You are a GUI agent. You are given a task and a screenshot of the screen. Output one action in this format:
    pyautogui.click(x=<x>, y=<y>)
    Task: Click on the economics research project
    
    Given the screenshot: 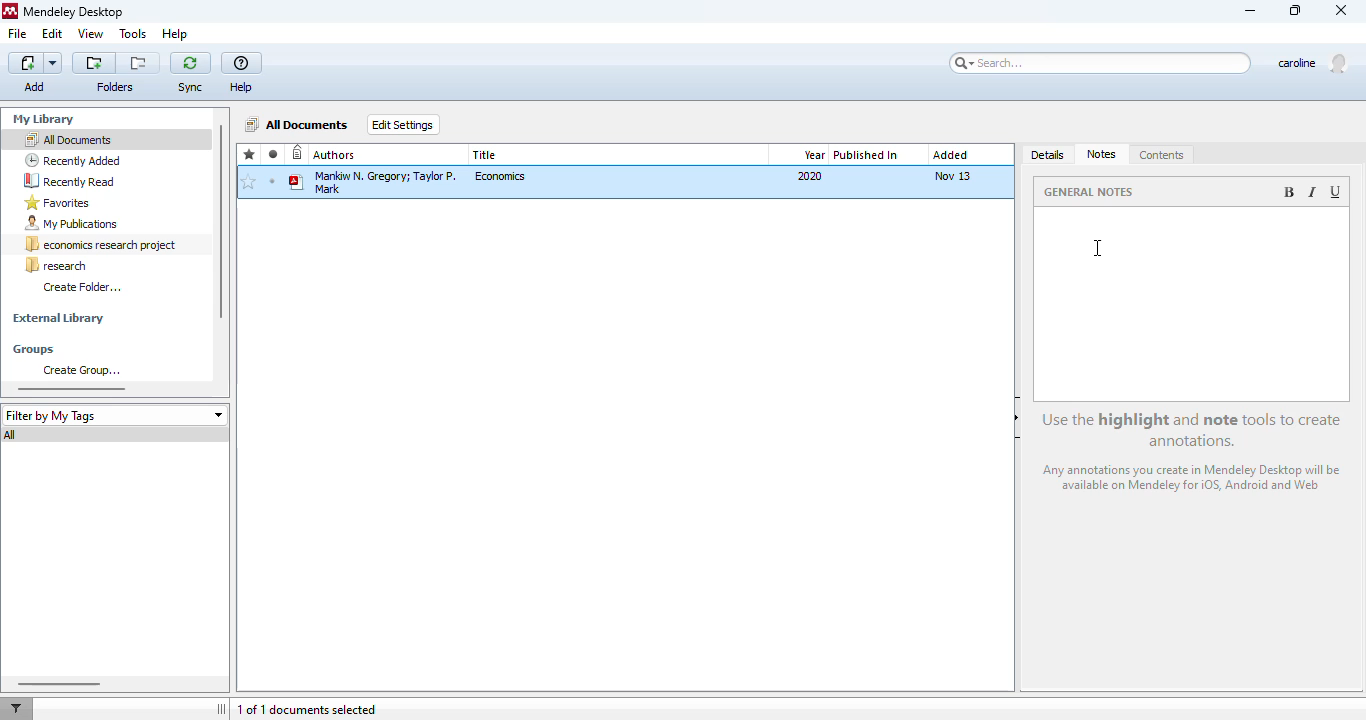 What is the action you would take?
    pyautogui.click(x=102, y=245)
    